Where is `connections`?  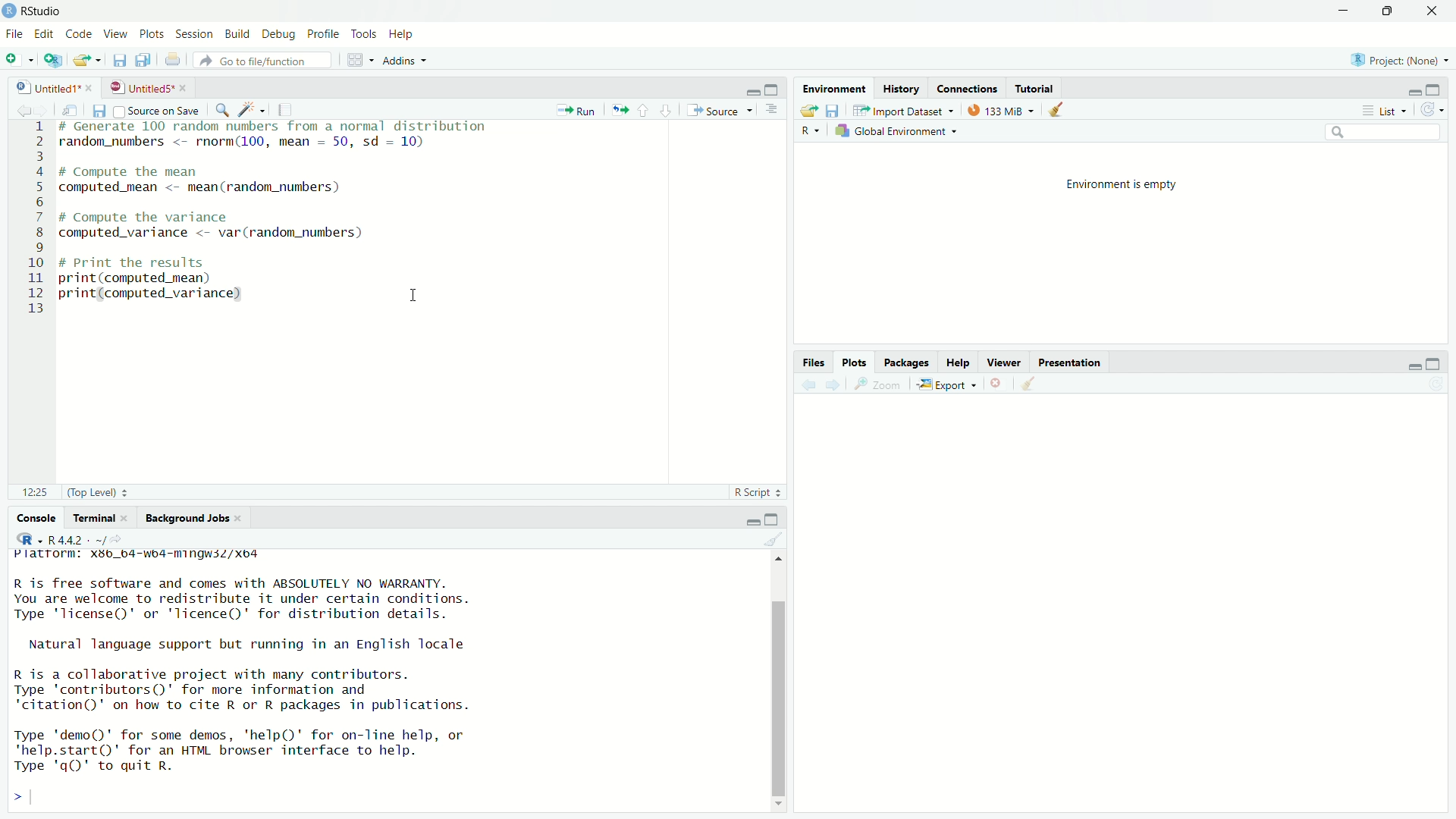
connections is located at coordinates (967, 89).